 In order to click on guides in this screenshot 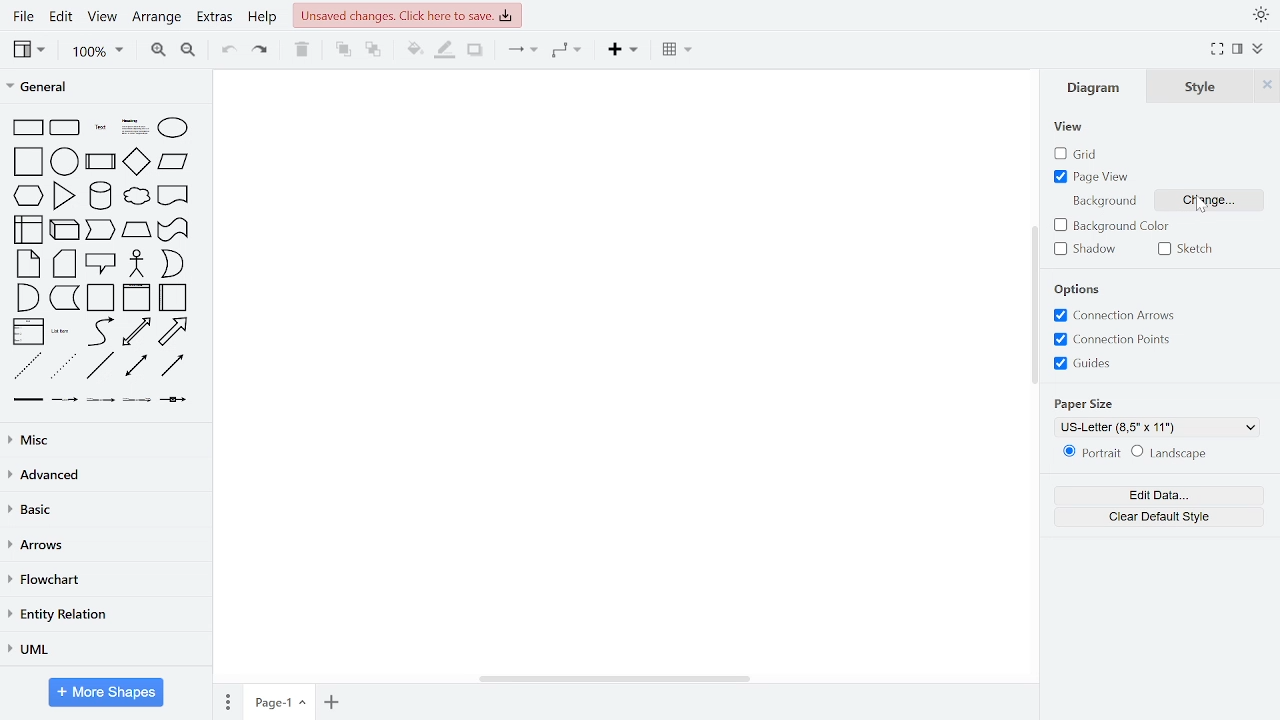, I will do `click(1084, 364)`.